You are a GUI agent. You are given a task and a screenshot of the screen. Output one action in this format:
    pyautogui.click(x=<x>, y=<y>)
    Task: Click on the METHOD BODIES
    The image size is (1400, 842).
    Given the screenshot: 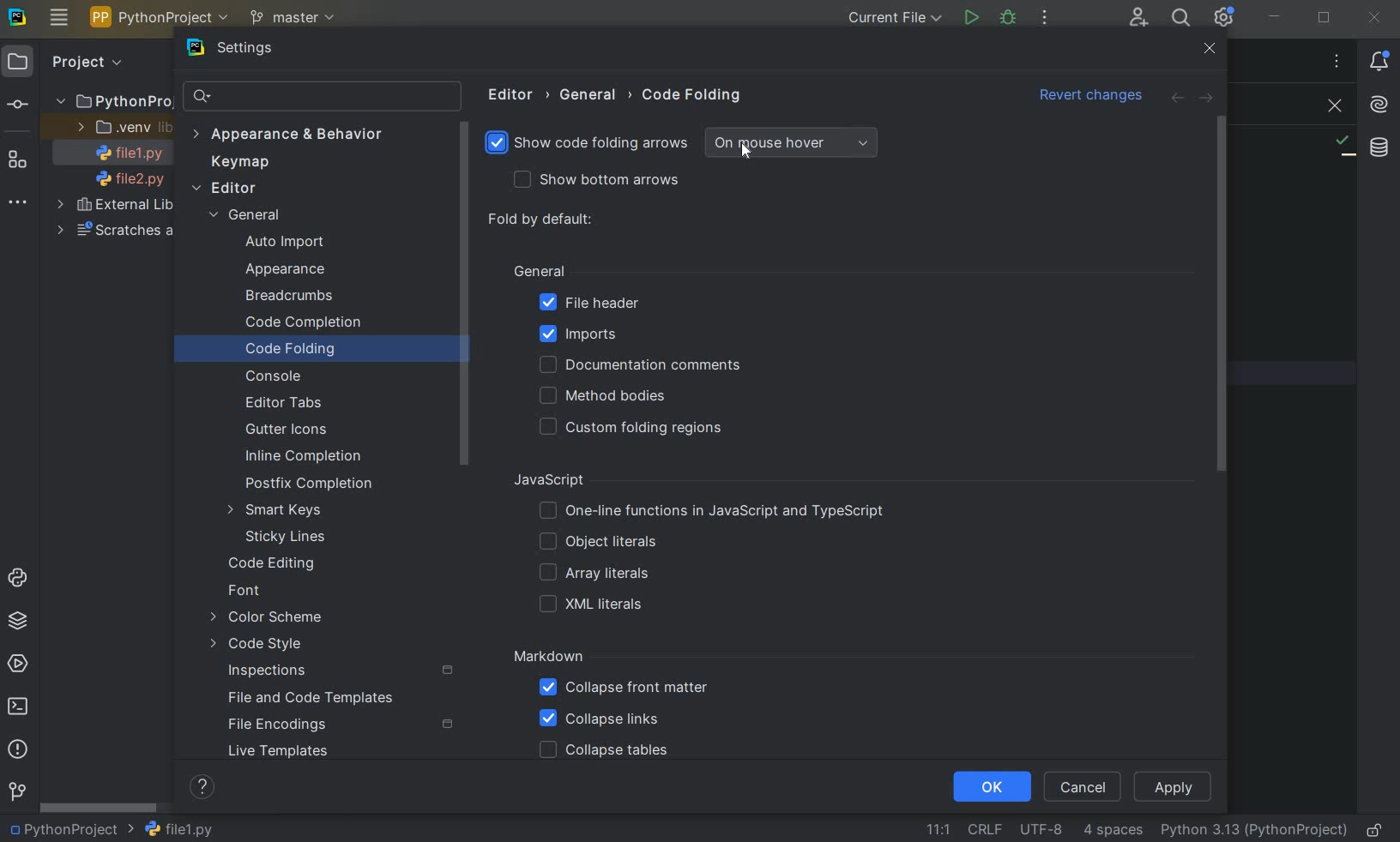 What is the action you would take?
    pyautogui.click(x=606, y=396)
    